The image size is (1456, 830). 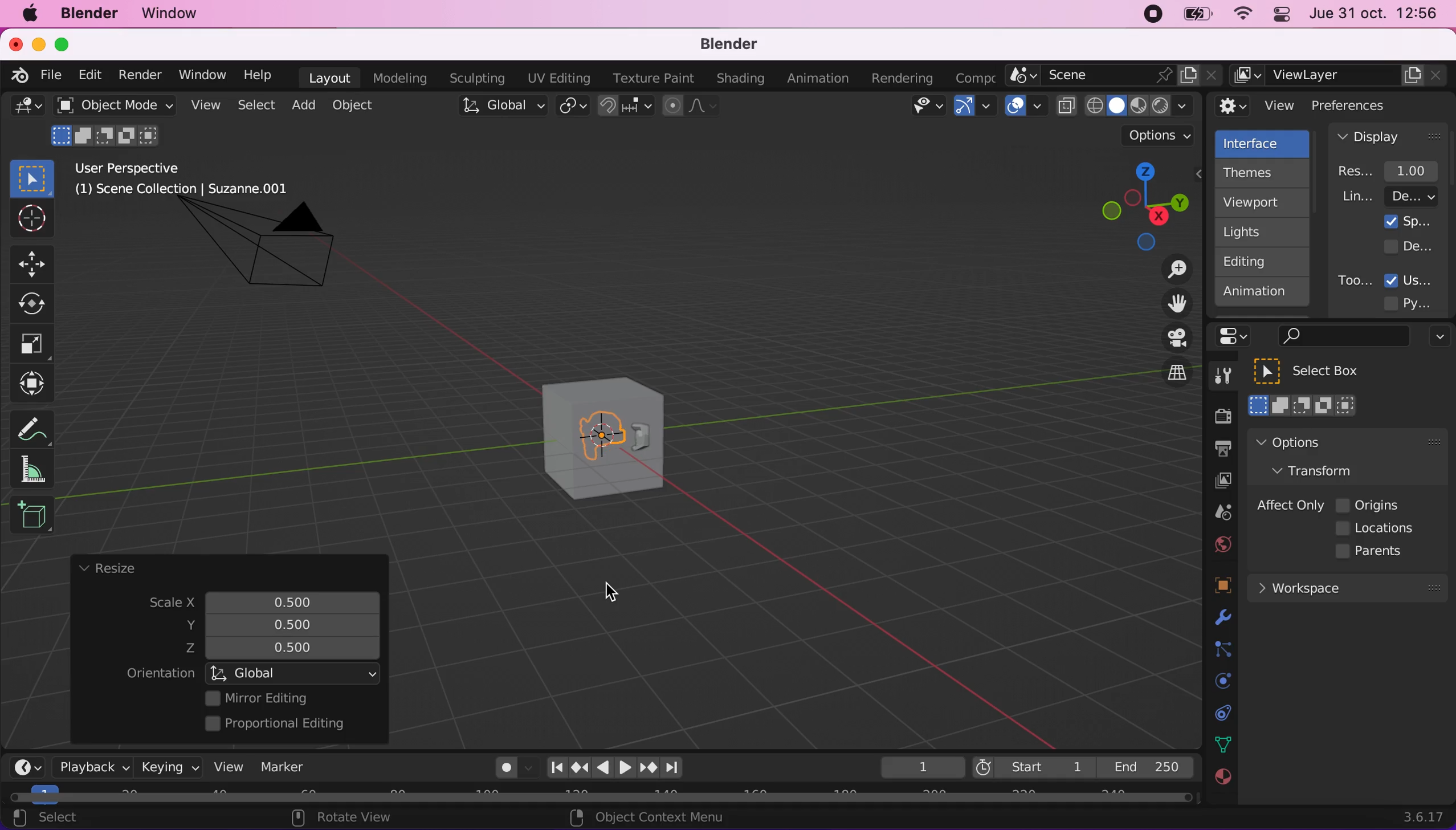 What do you see at coordinates (203, 105) in the screenshot?
I see `view` at bounding box center [203, 105].